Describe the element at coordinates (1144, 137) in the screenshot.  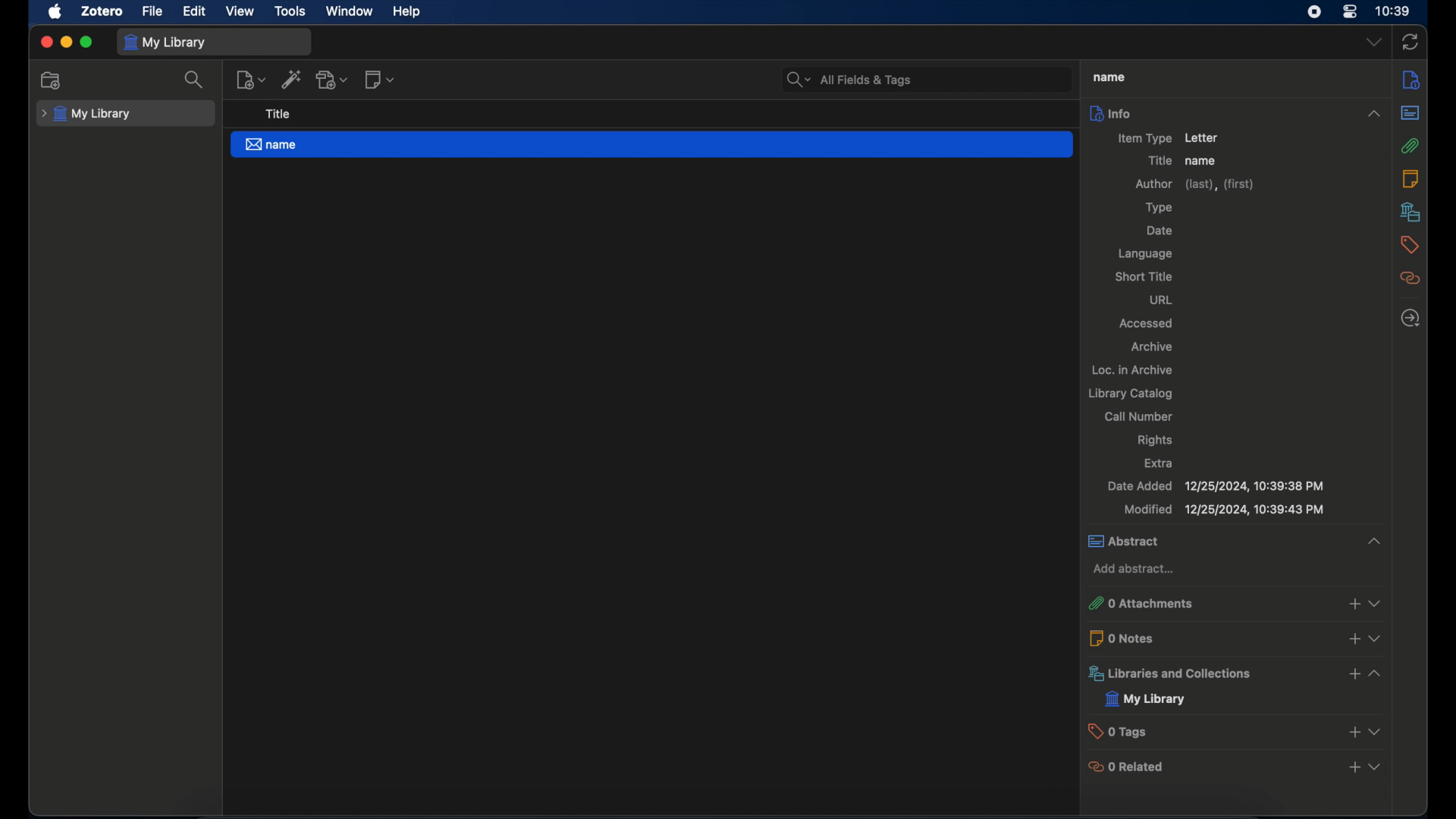
I see `item type` at that location.